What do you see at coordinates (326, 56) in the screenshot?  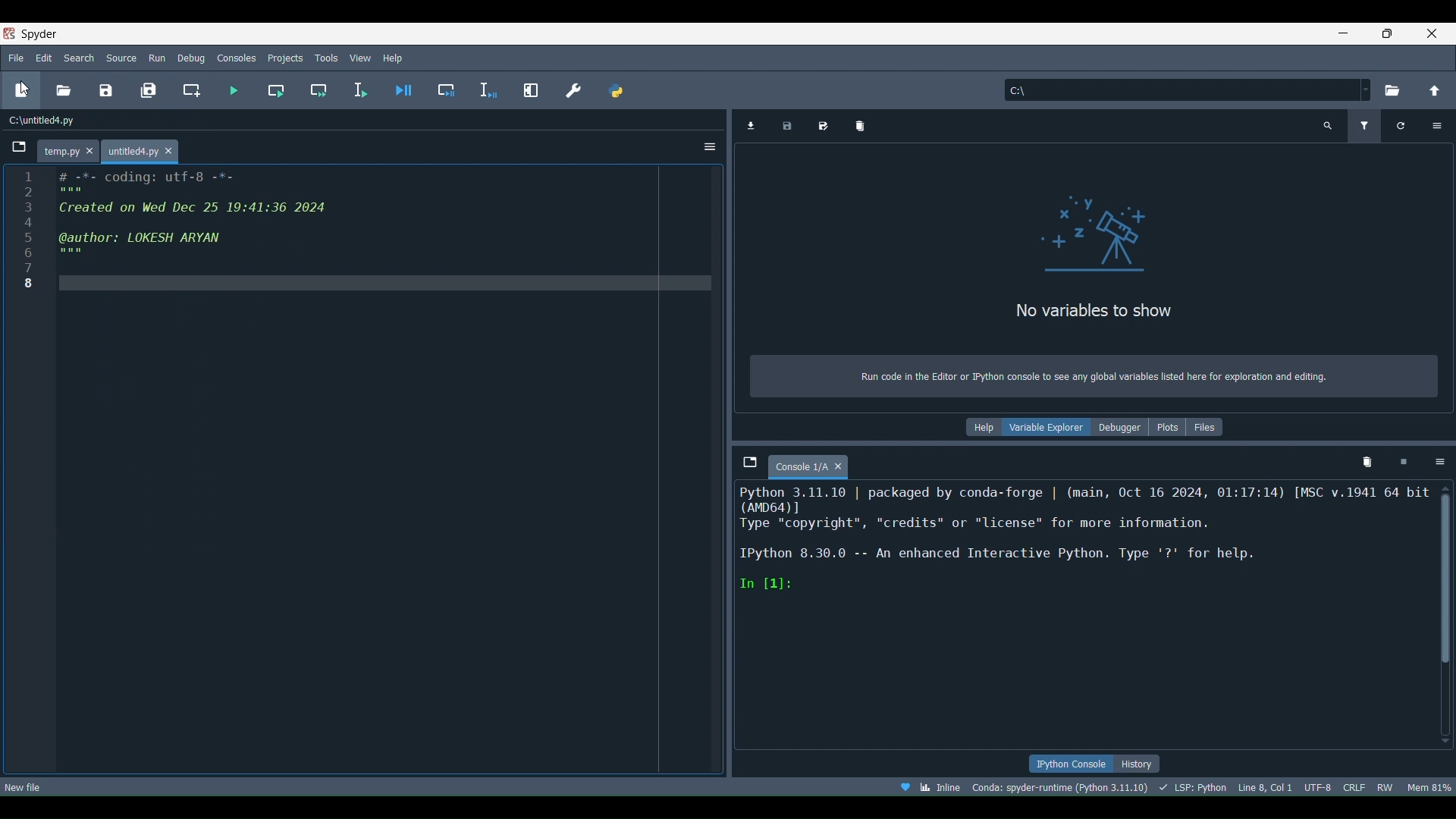 I see `Tools` at bounding box center [326, 56].